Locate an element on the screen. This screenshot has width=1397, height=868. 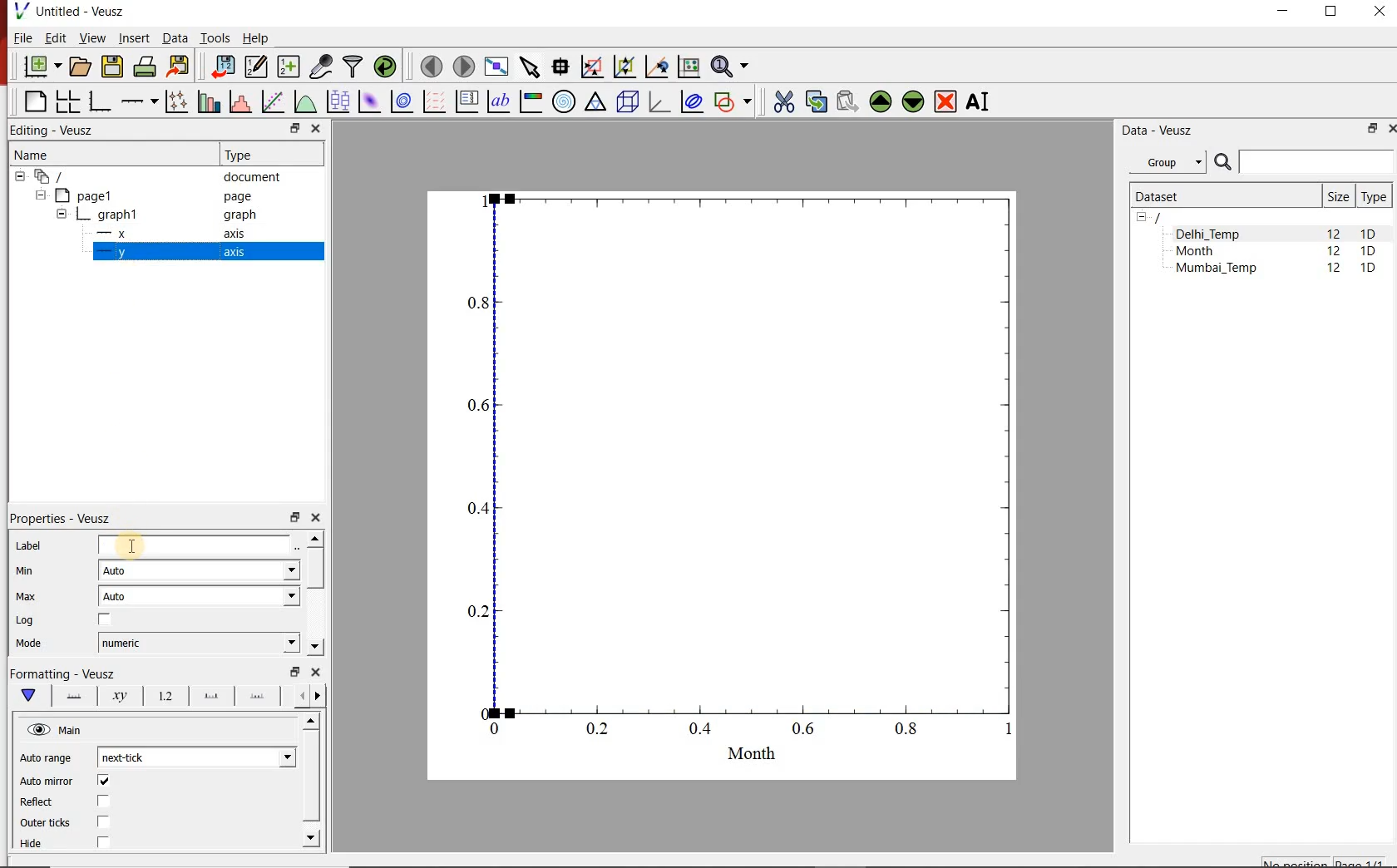
scrollbar is located at coordinates (313, 782).